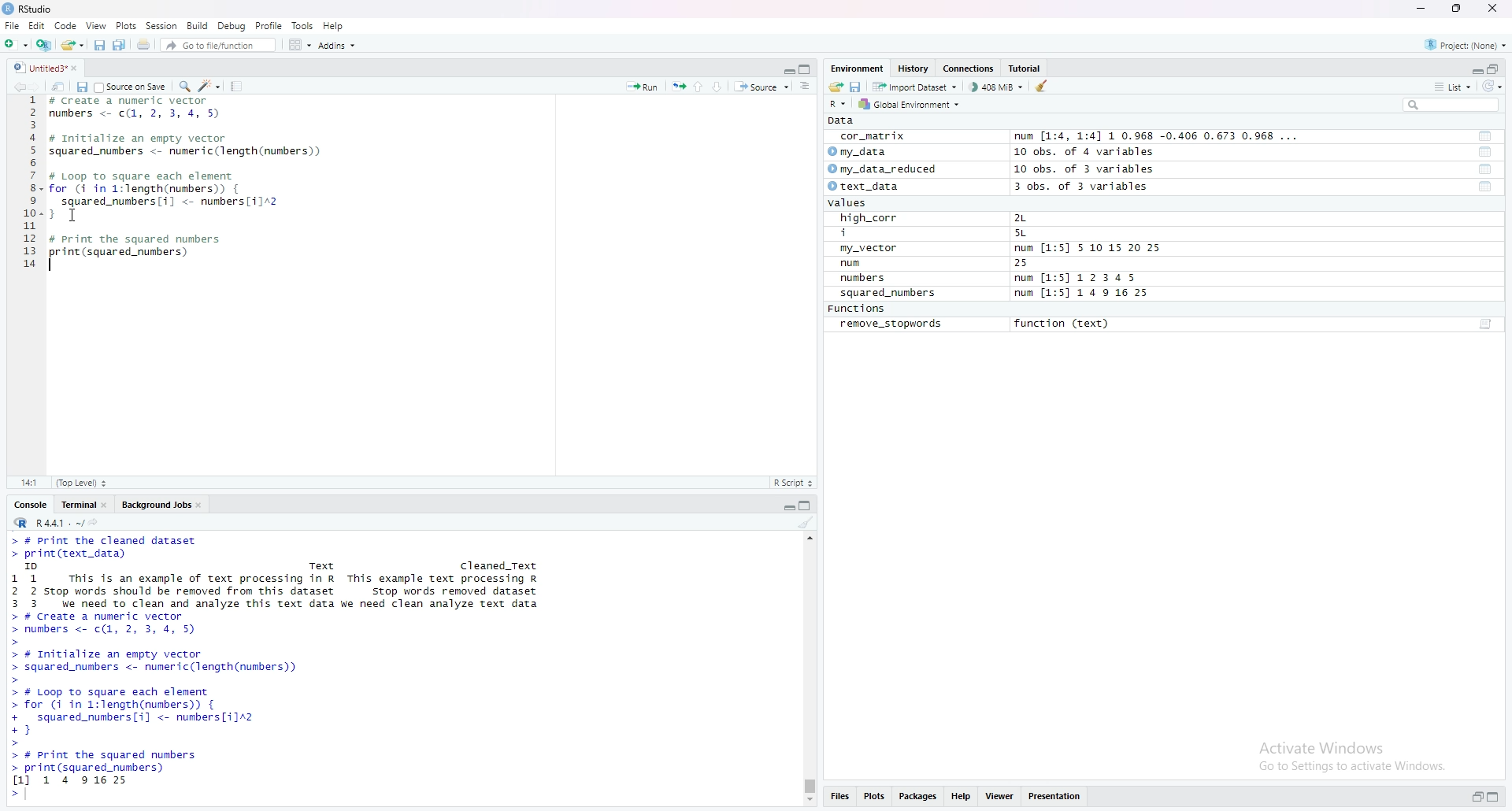 The image size is (1512, 811). I want to click on Environment, so click(857, 68).